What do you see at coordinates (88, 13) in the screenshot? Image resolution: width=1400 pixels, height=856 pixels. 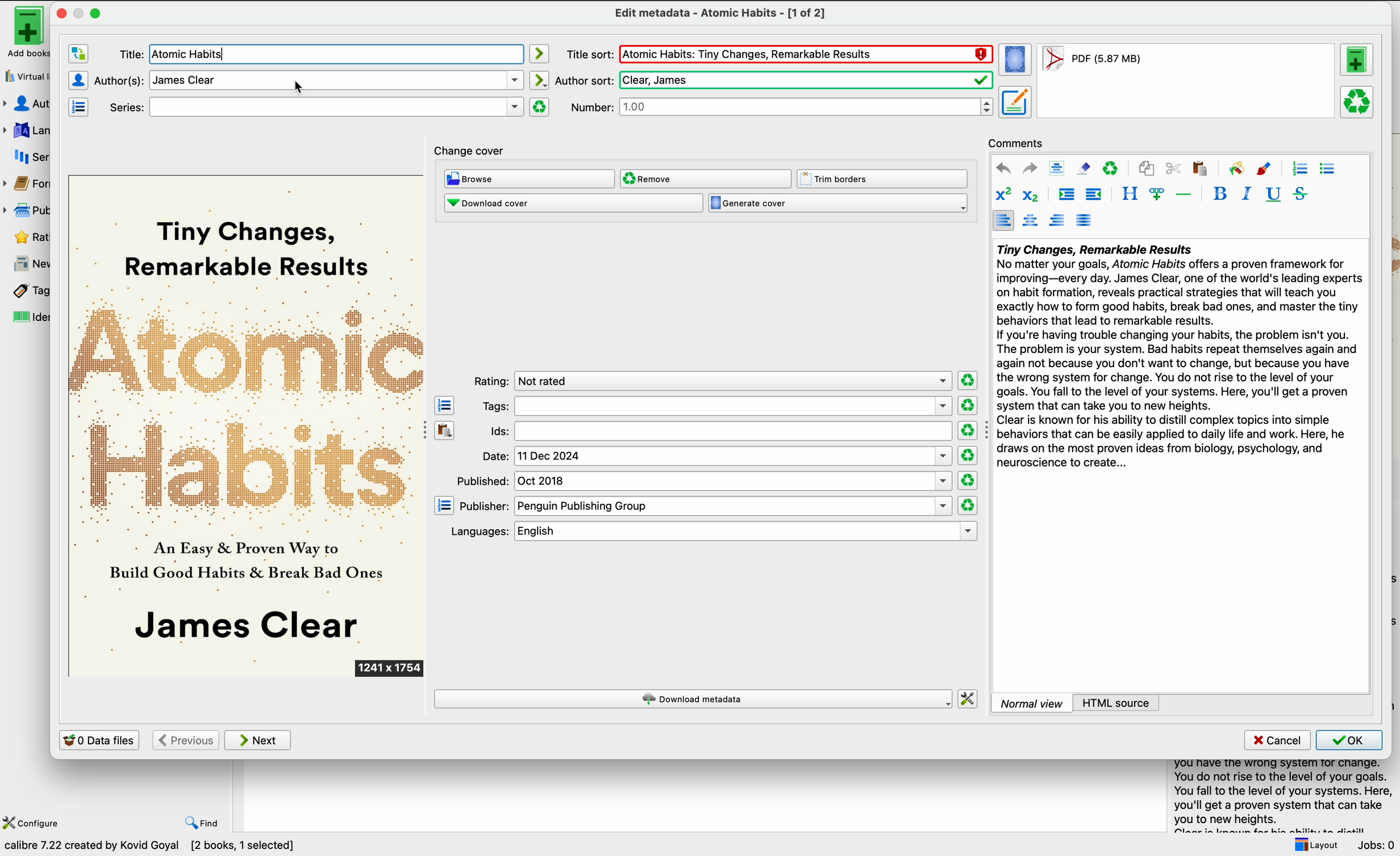 I see `maximize window` at bounding box center [88, 13].